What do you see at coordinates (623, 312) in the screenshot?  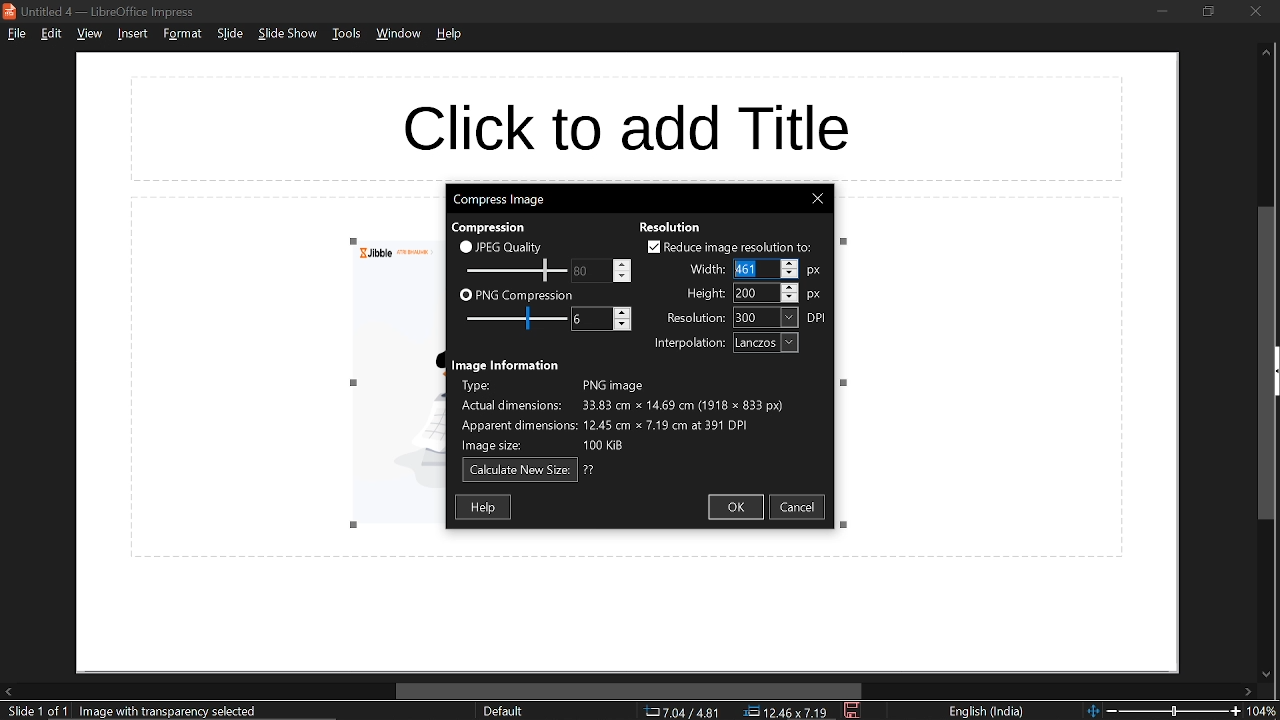 I see `Increase ` at bounding box center [623, 312].